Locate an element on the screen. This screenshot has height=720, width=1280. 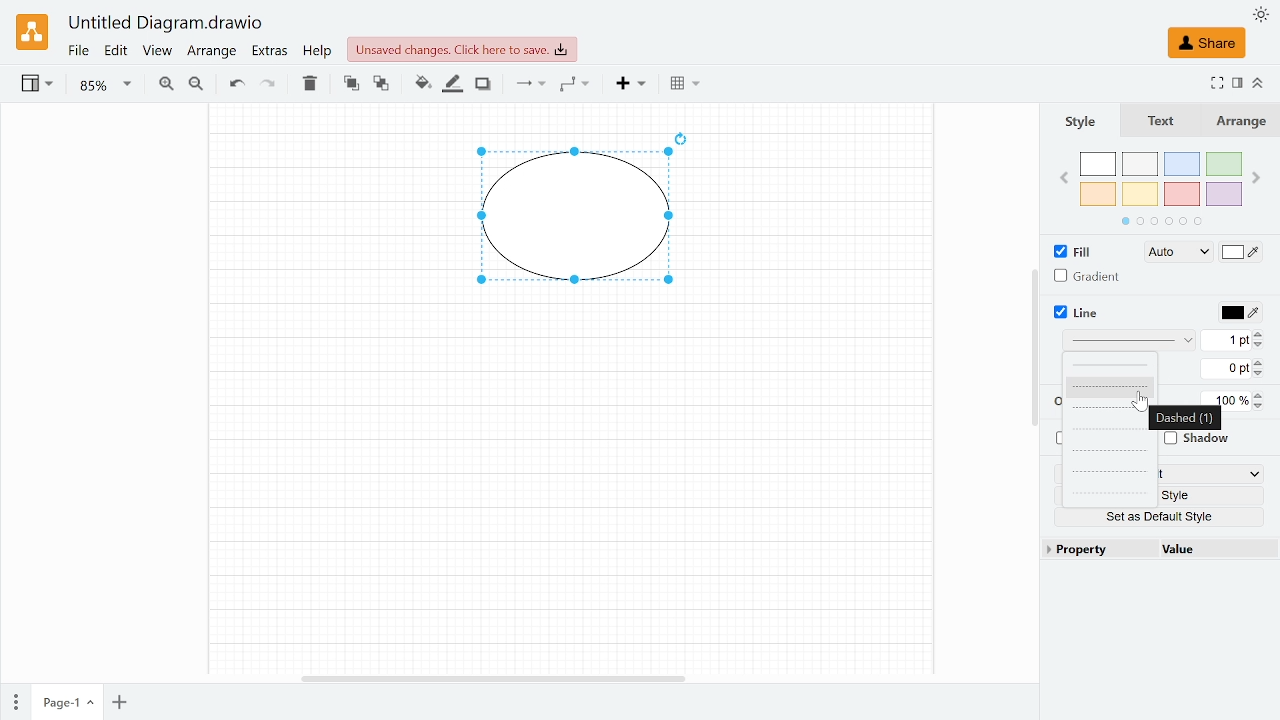
Share is located at coordinates (1208, 42).